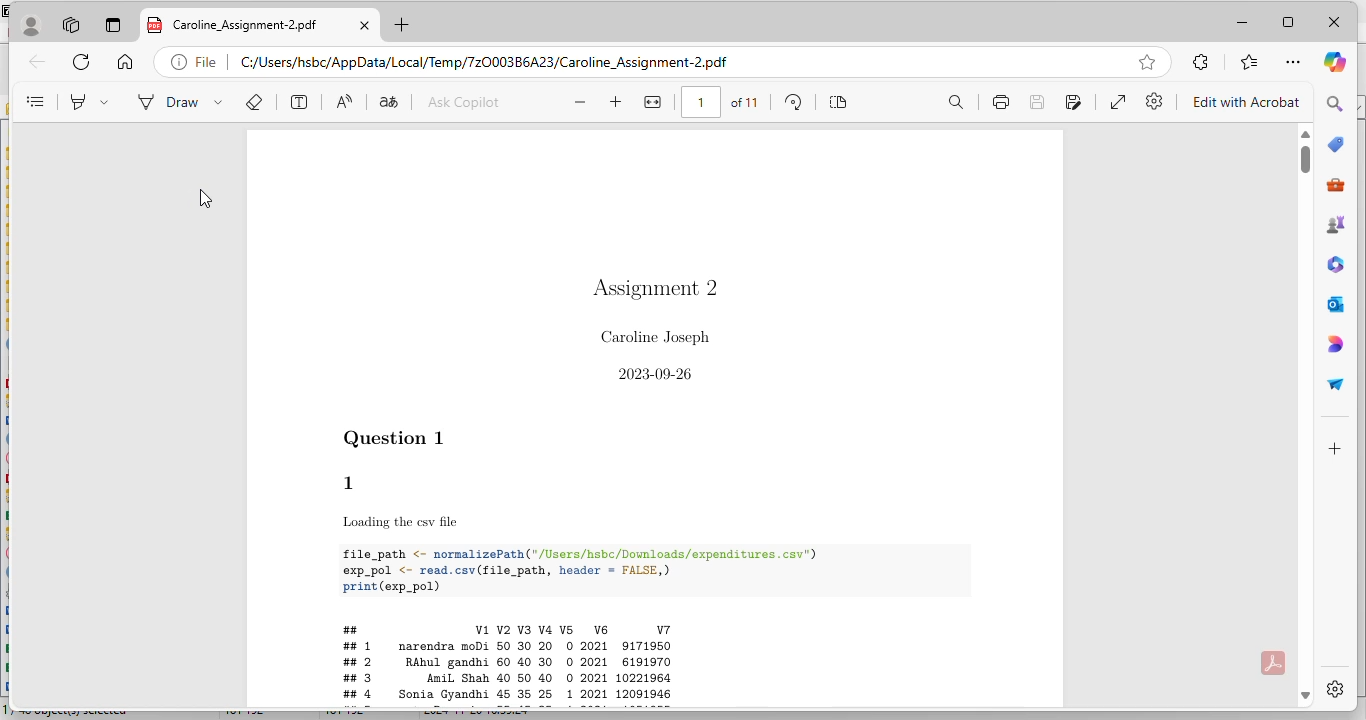 This screenshot has width=1366, height=720. I want to click on ask copilot about this file, so click(462, 101).